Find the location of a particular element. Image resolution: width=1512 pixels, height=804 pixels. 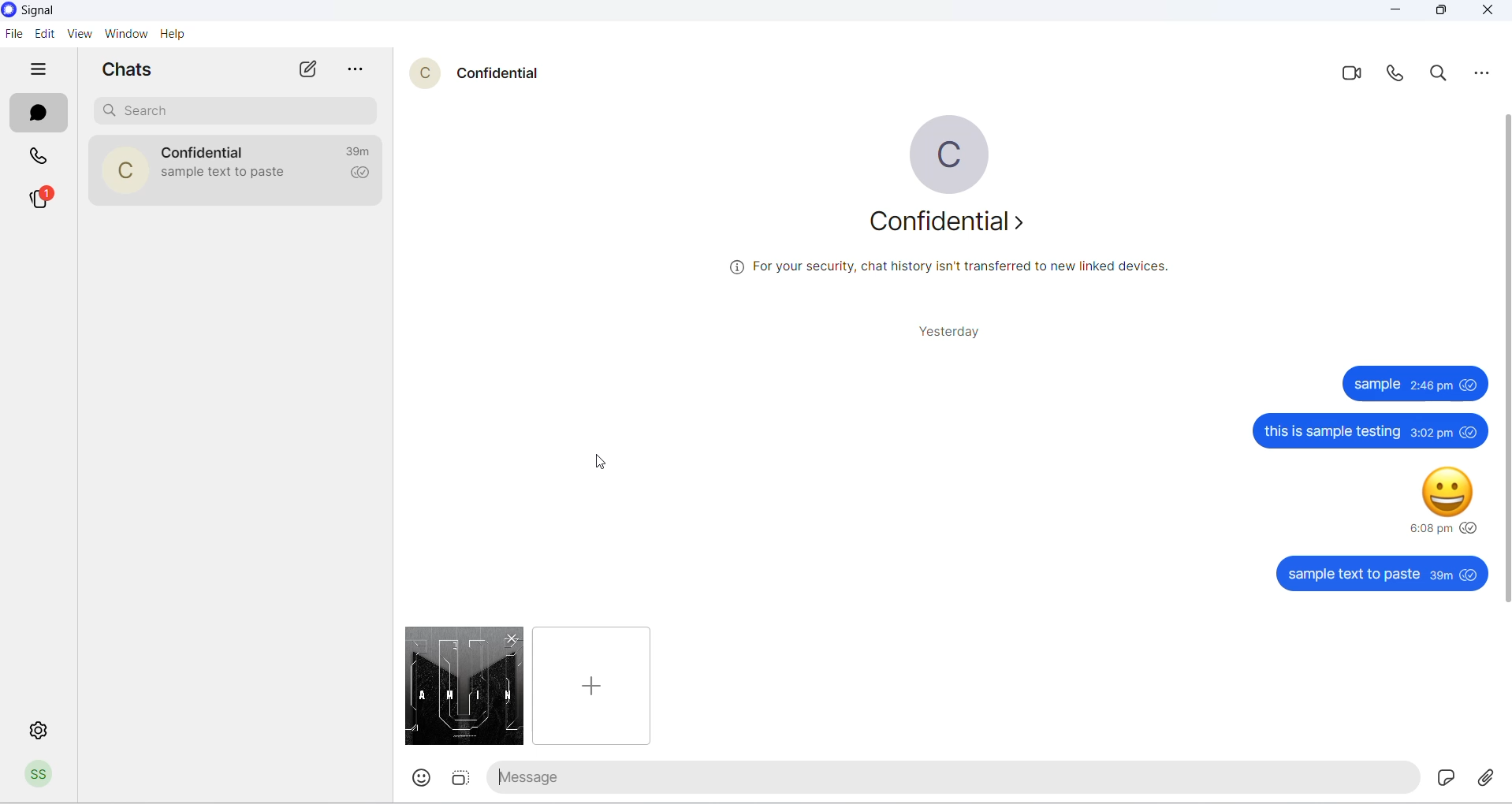

file is located at coordinates (460, 685).